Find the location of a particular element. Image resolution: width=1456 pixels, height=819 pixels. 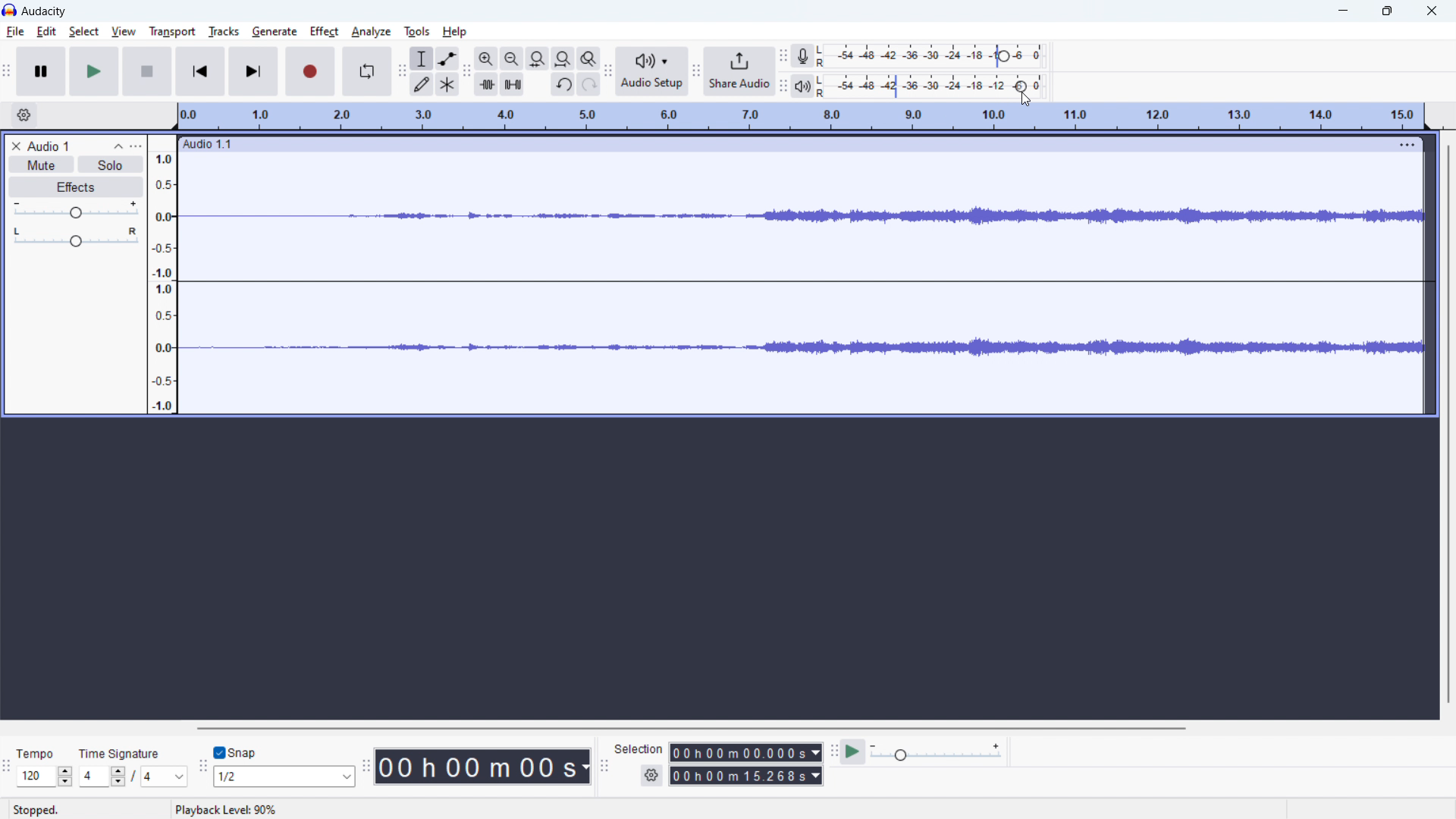

audacity is located at coordinates (44, 11).